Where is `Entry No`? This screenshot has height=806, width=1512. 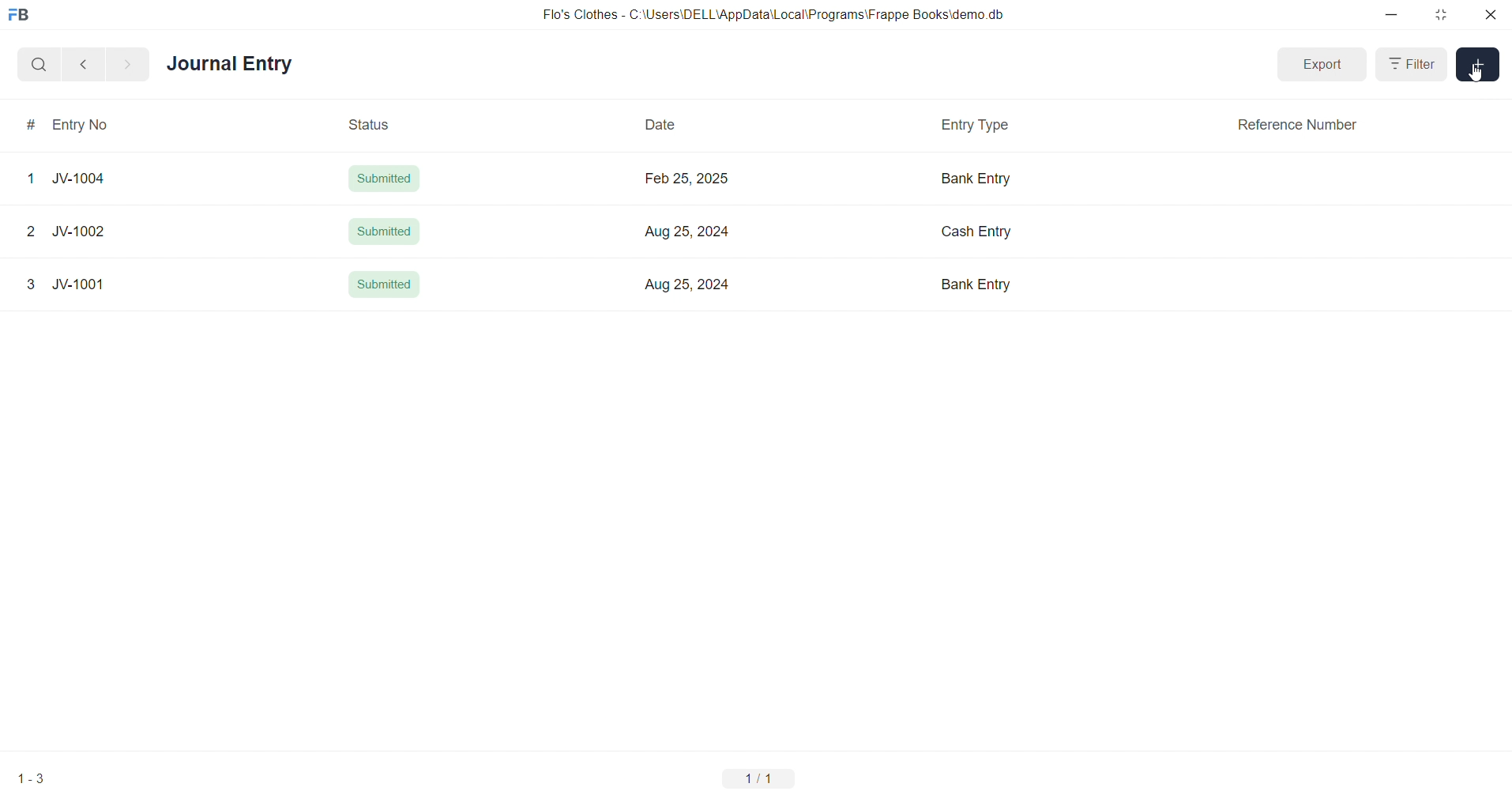
Entry No is located at coordinates (85, 126).